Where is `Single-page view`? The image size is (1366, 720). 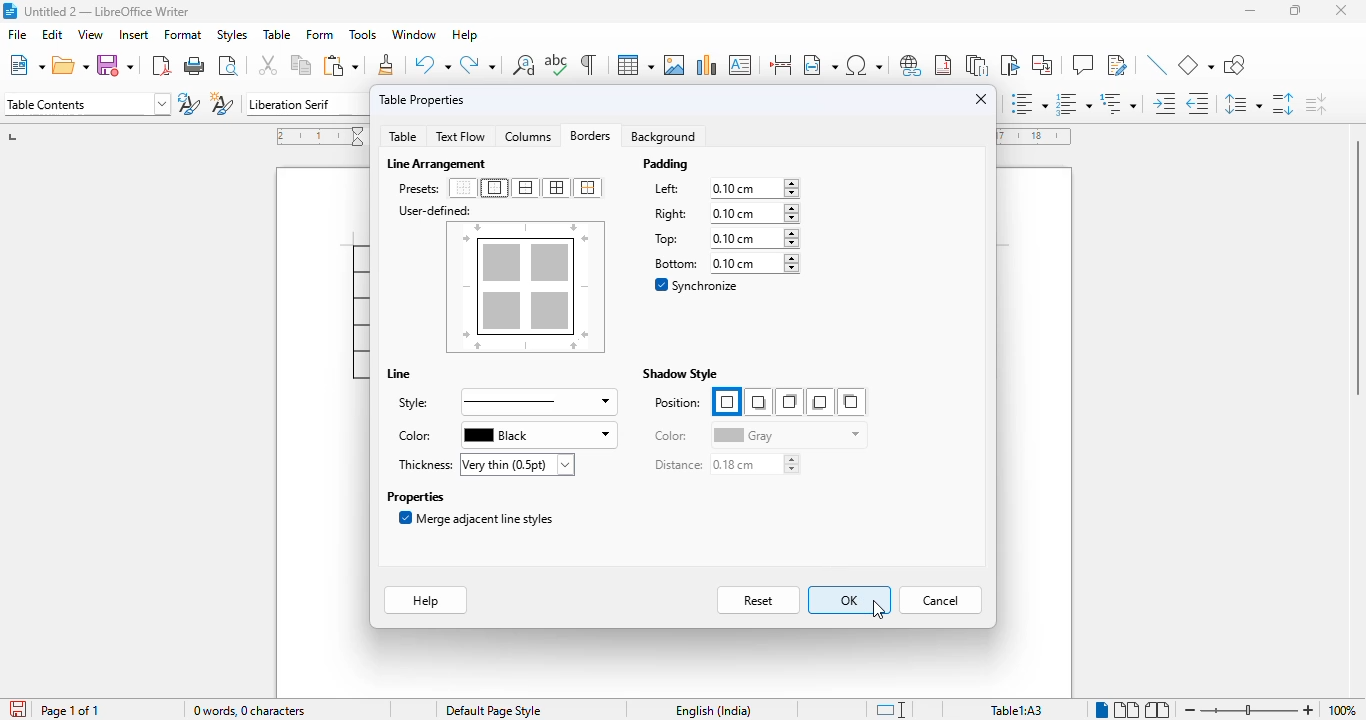 Single-page view is located at coordinates (1102, 710).